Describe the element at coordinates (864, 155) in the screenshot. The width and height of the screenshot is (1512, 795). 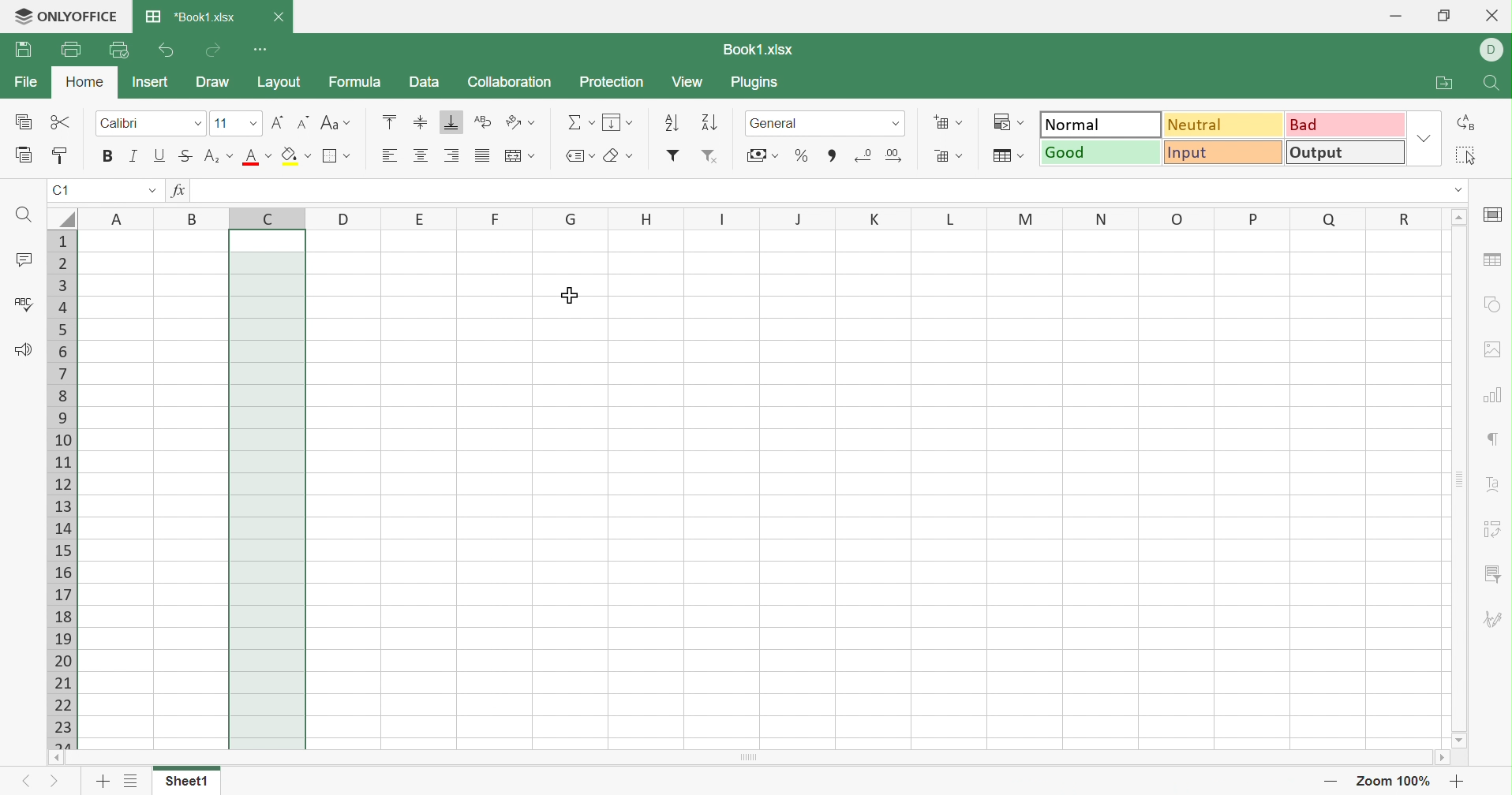
I see `Decrease decimals` at that location.